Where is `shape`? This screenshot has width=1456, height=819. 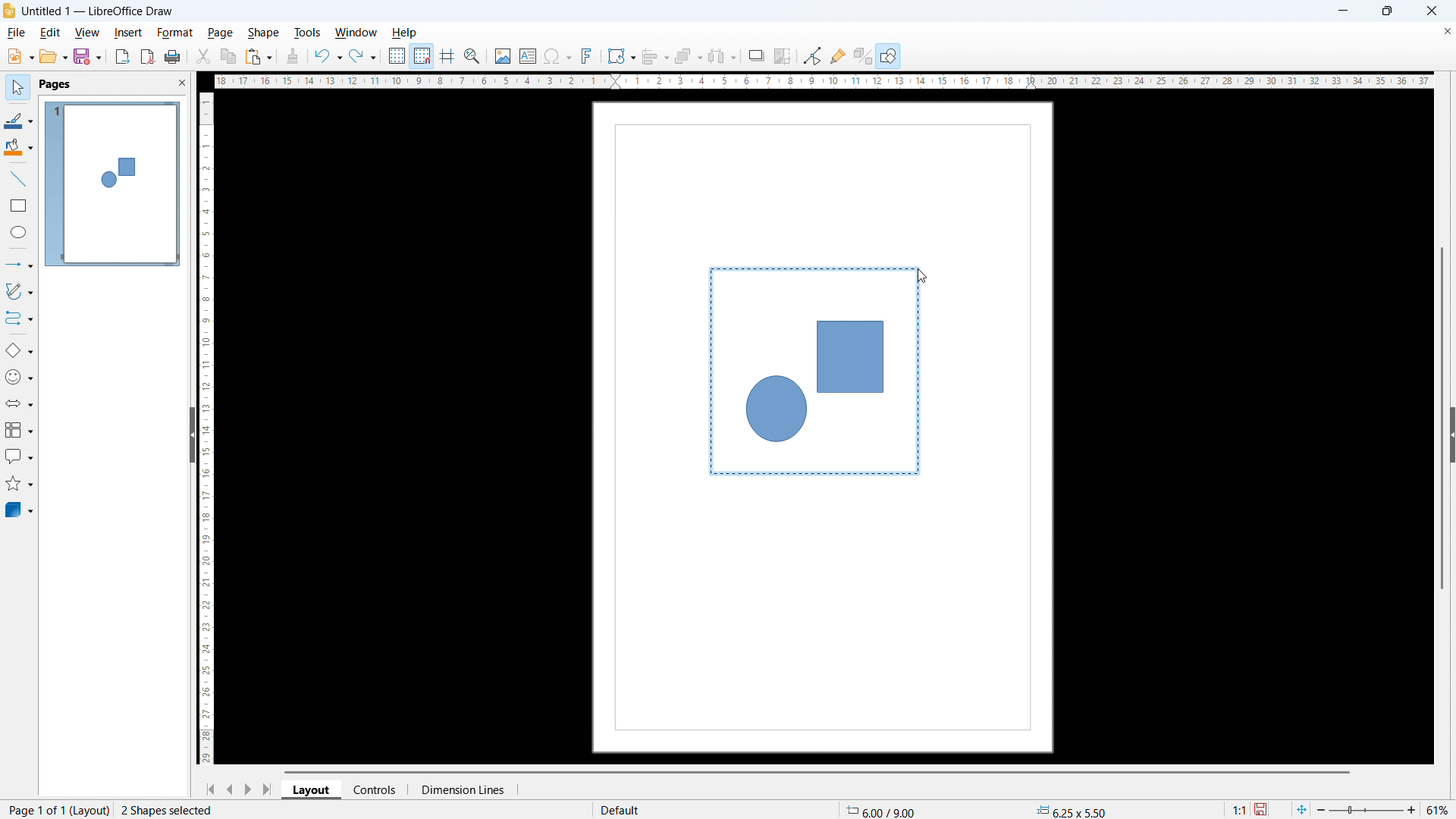
shape is located at coordinates (264, 33).